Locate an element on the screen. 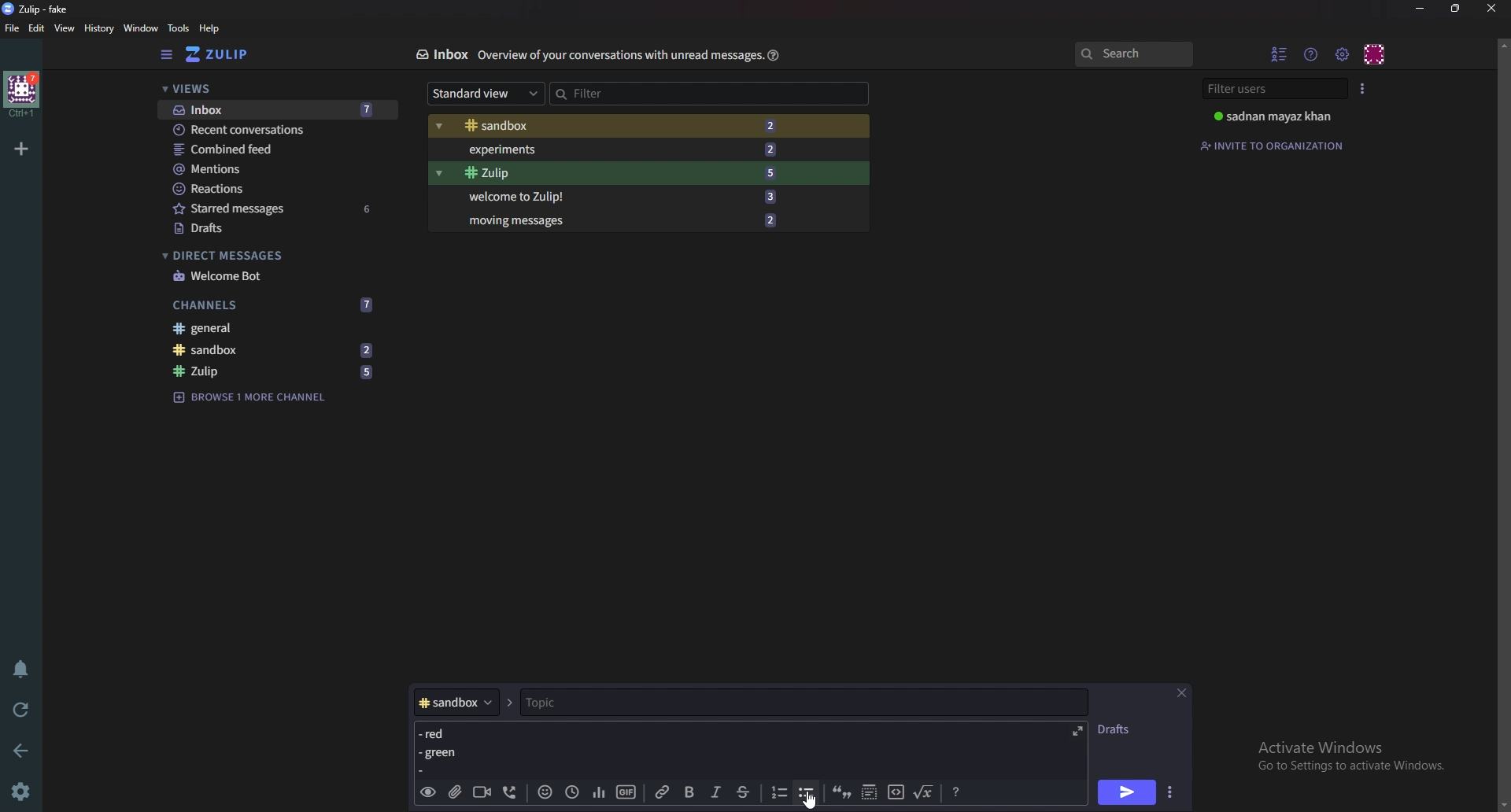  Zulip is located at coordinates (618, 173).